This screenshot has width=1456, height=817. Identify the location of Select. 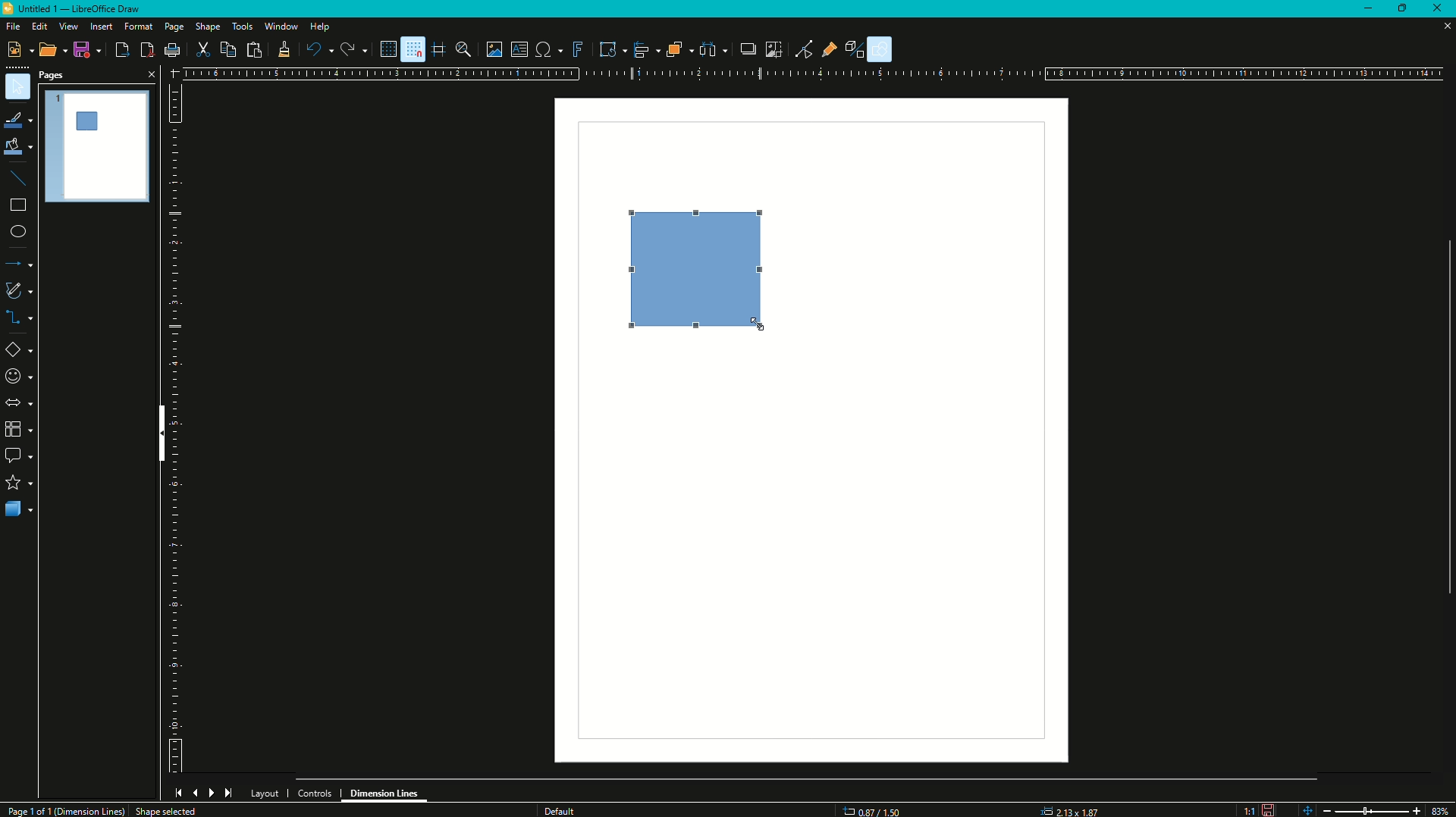
(18, 87).